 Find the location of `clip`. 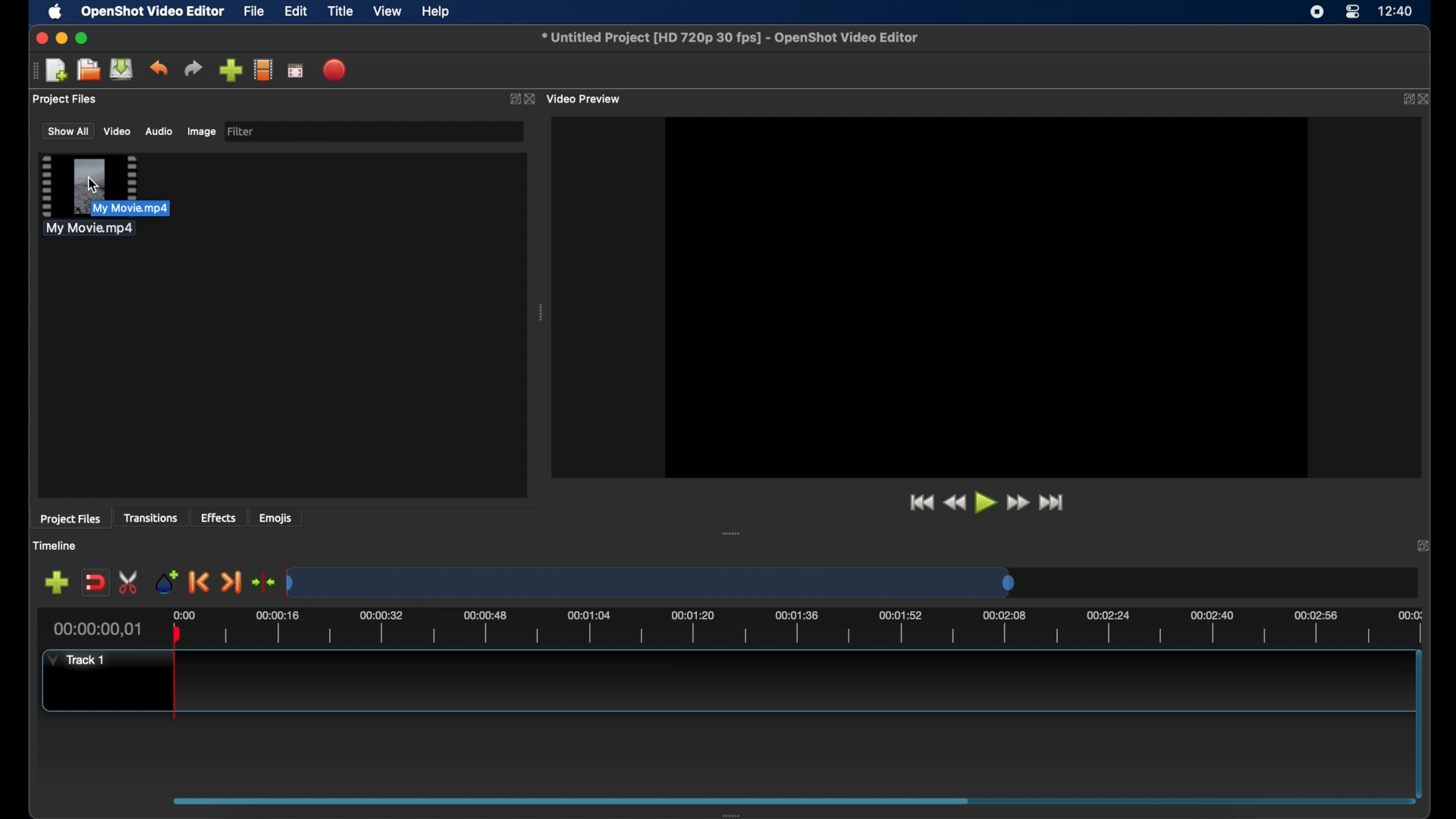

clip is located at coordinates (88, 194).